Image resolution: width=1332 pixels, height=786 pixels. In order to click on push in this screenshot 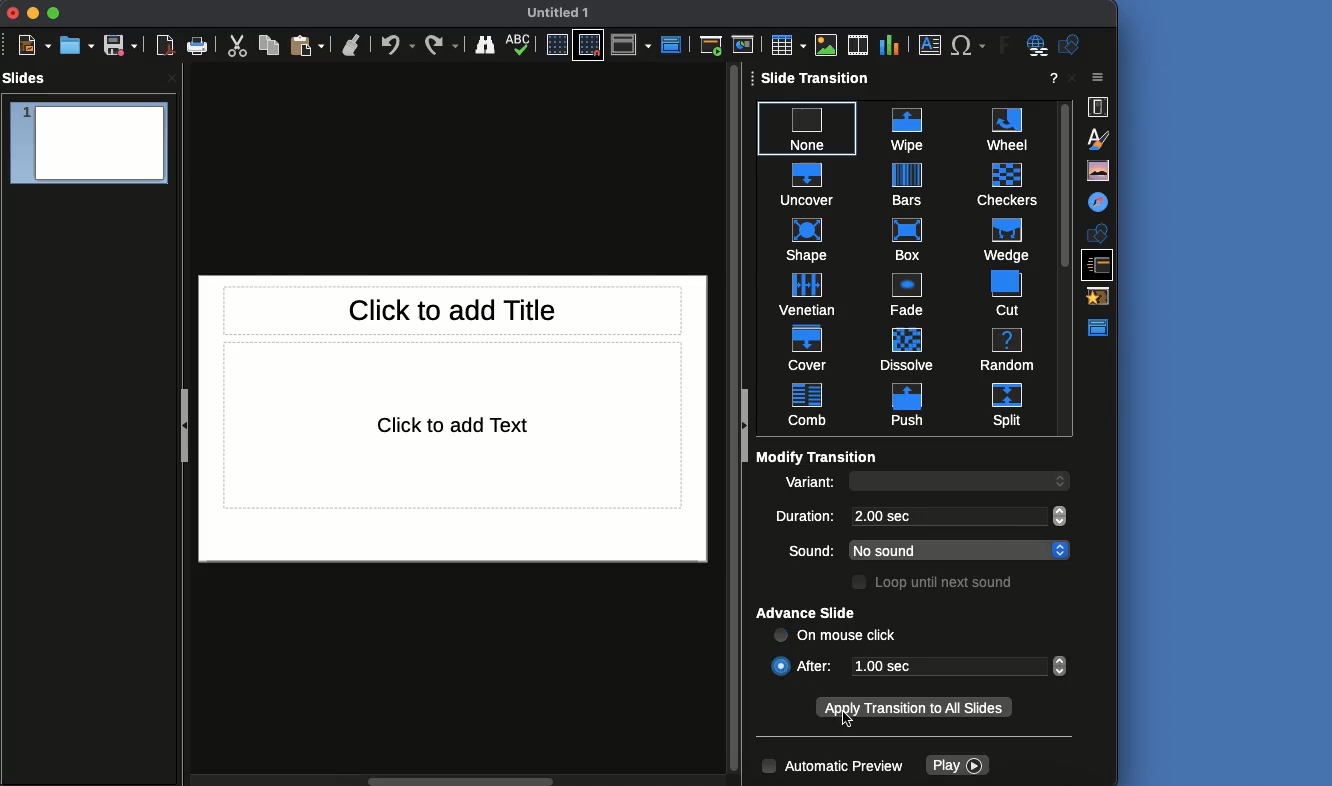, I will do `click(900, 405)`.